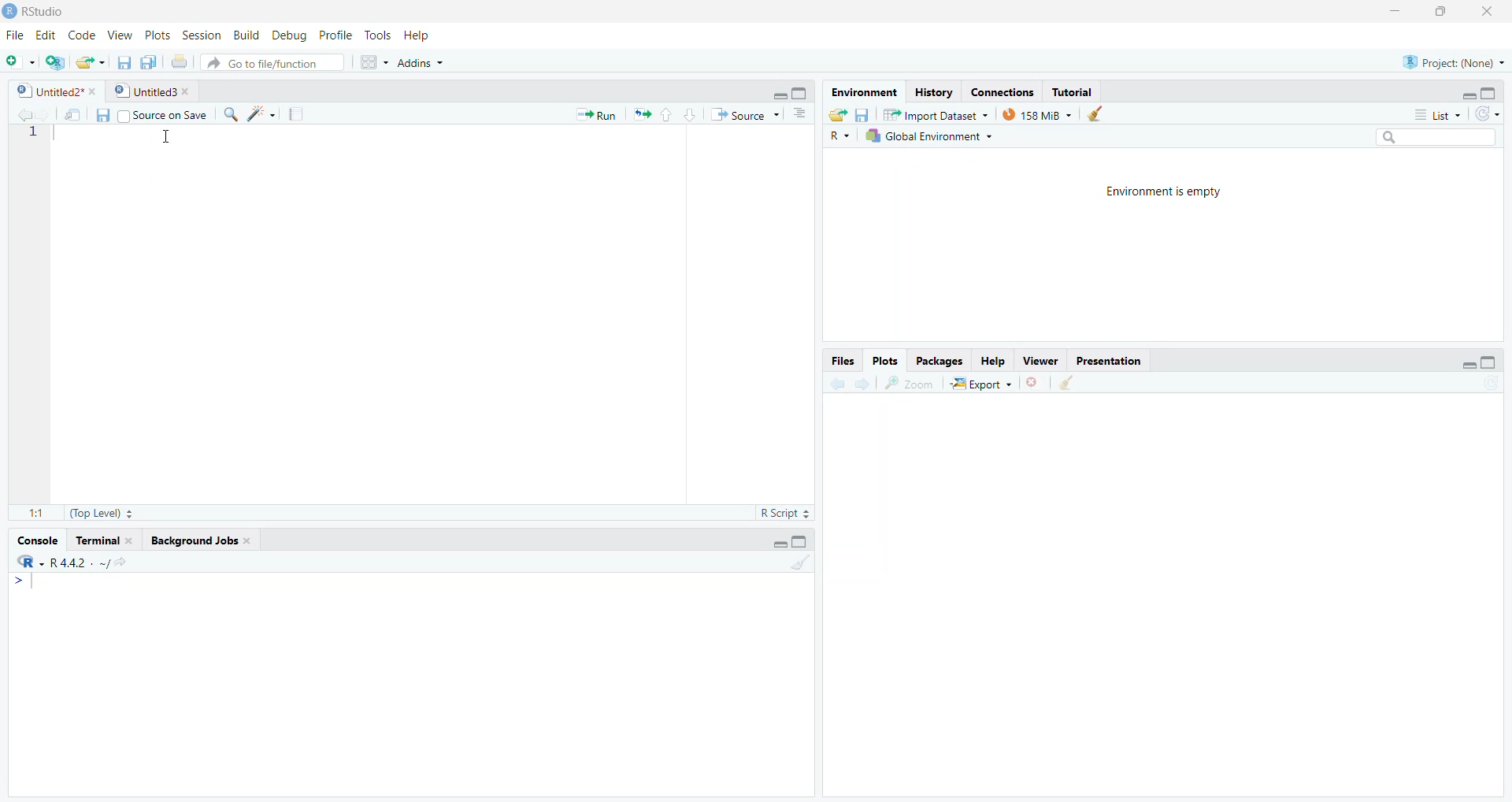 Image resolution: width=1512 pixels, height=802 pixels. What do you see at coordinates (1492, 113) in the screenshot?
I see `Refresh` at bounding box center [1492, 113].